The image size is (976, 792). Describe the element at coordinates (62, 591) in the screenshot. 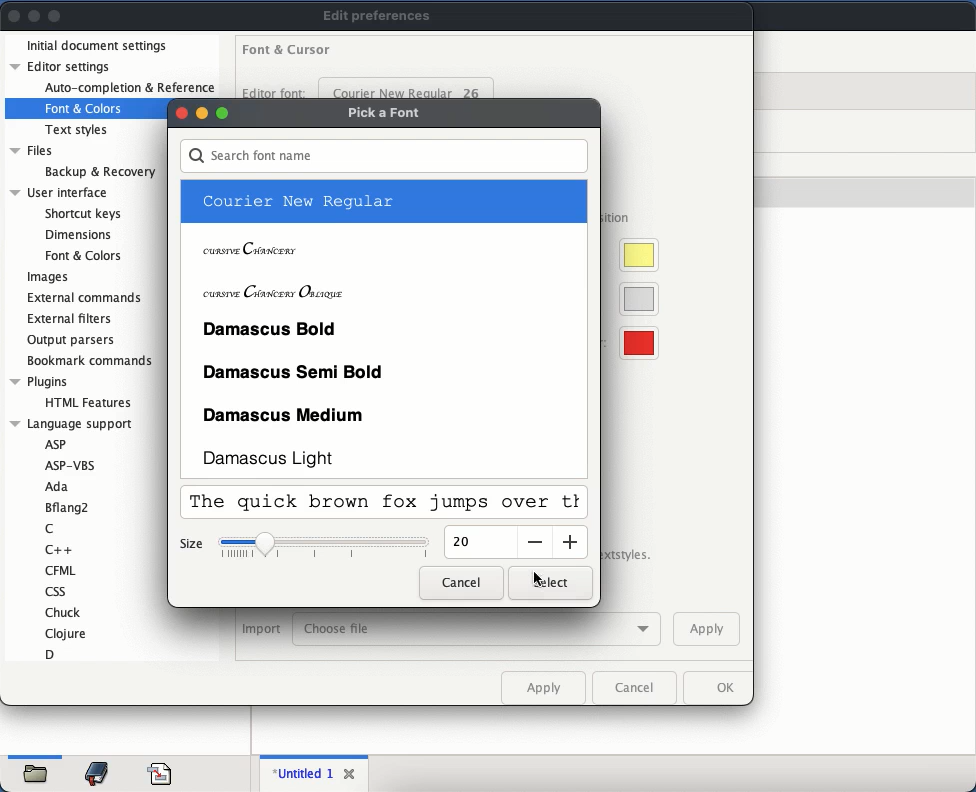

I see `css` at that location.